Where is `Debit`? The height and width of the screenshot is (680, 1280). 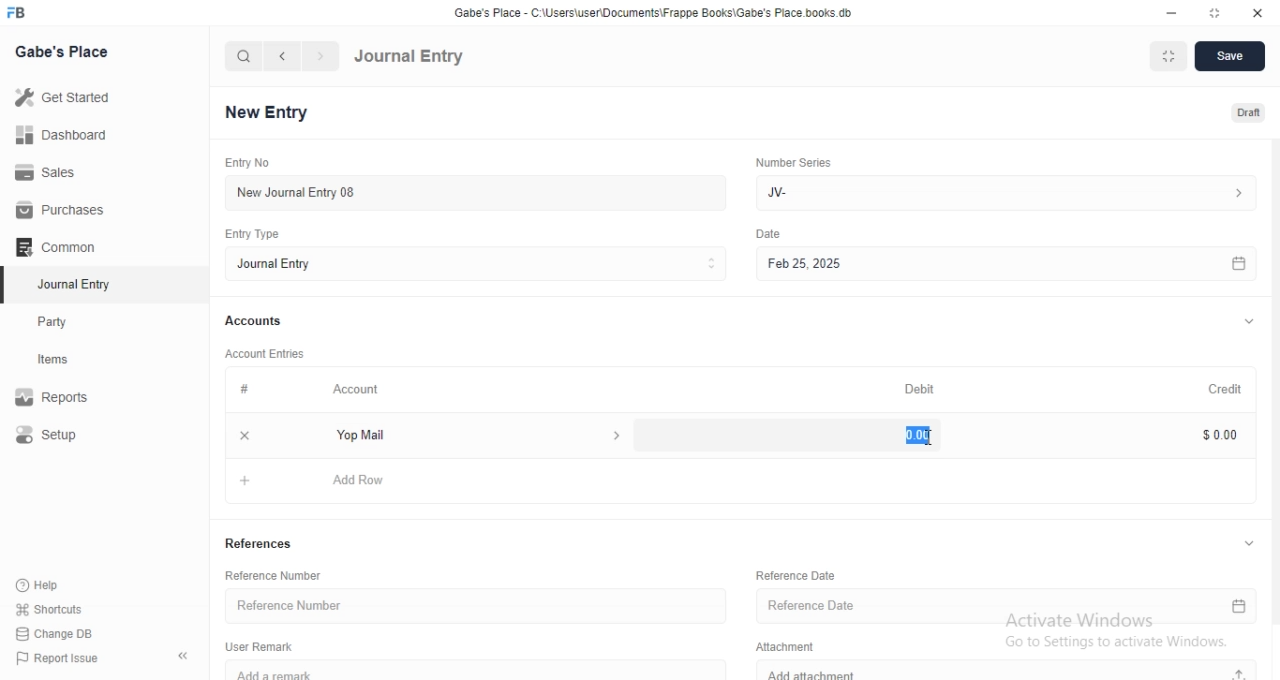
Debit is located at coordinates (919, 388).